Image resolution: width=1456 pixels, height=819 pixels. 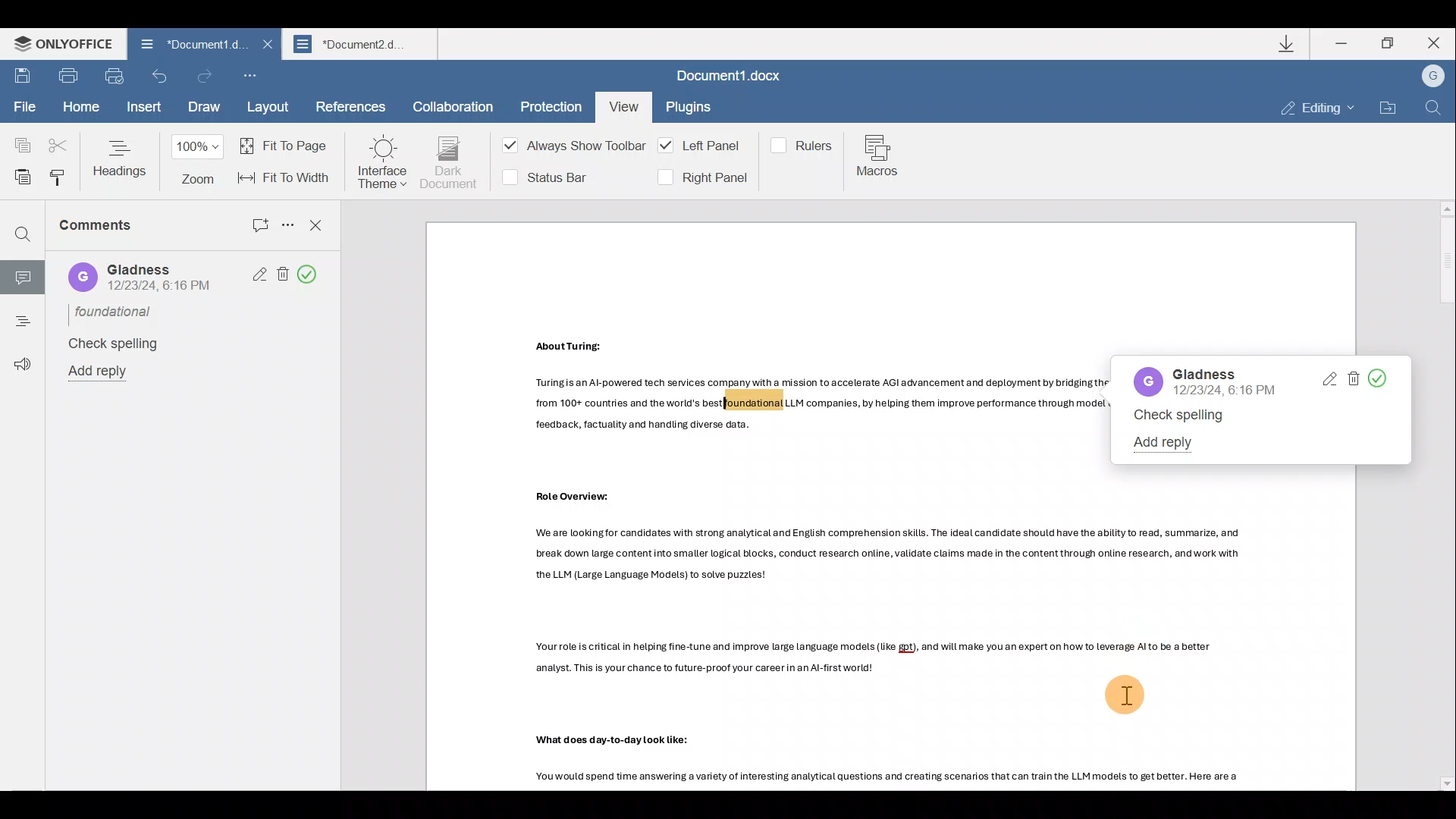 What do you see at coordinates (616, 742) in the screenshot?
I see `` at bounding box center [616, 742].